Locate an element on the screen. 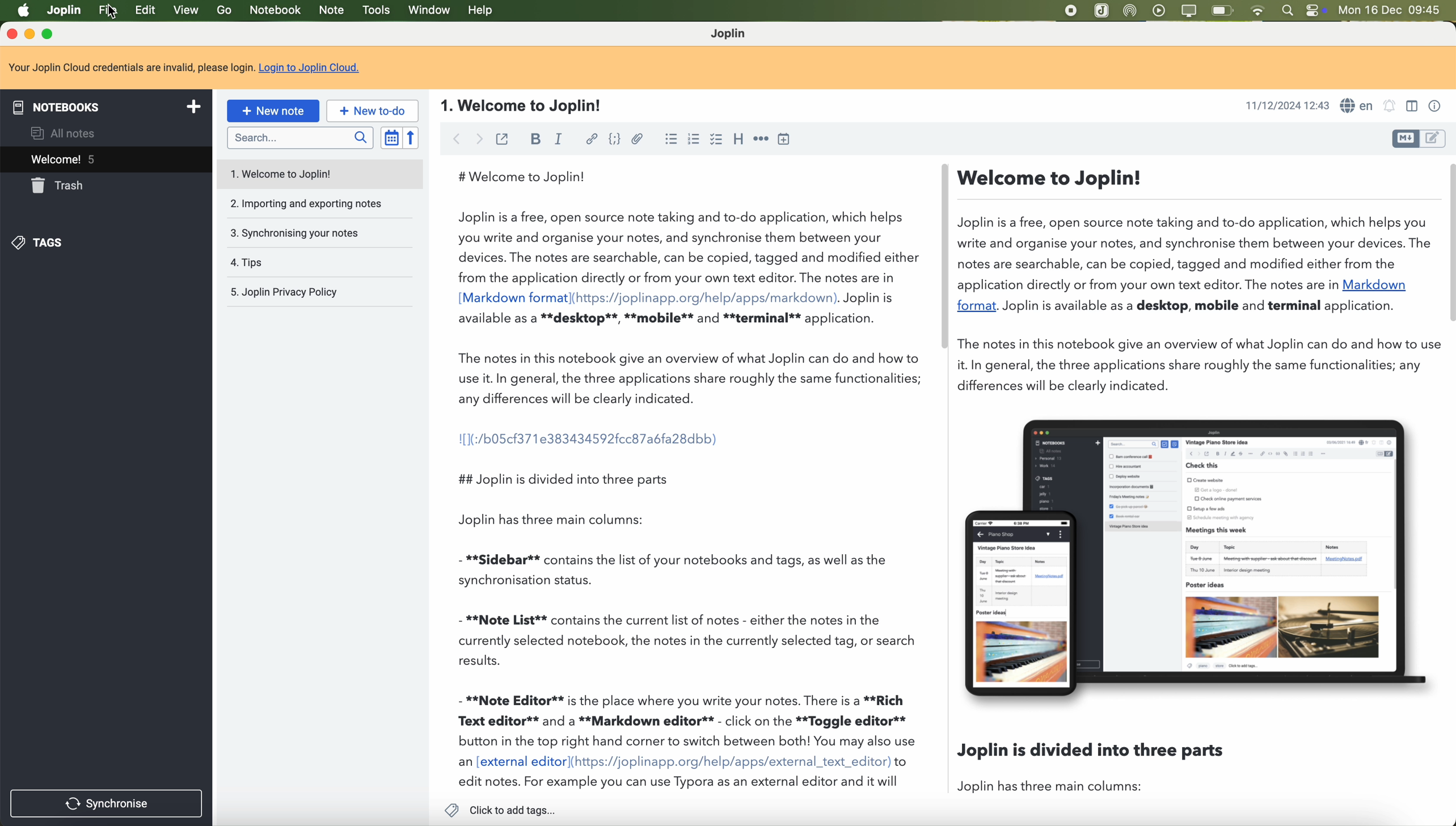 Image resolution: width=1456 pixels, height=826 pixels. bulleted list is located at coordinates (670, 139).